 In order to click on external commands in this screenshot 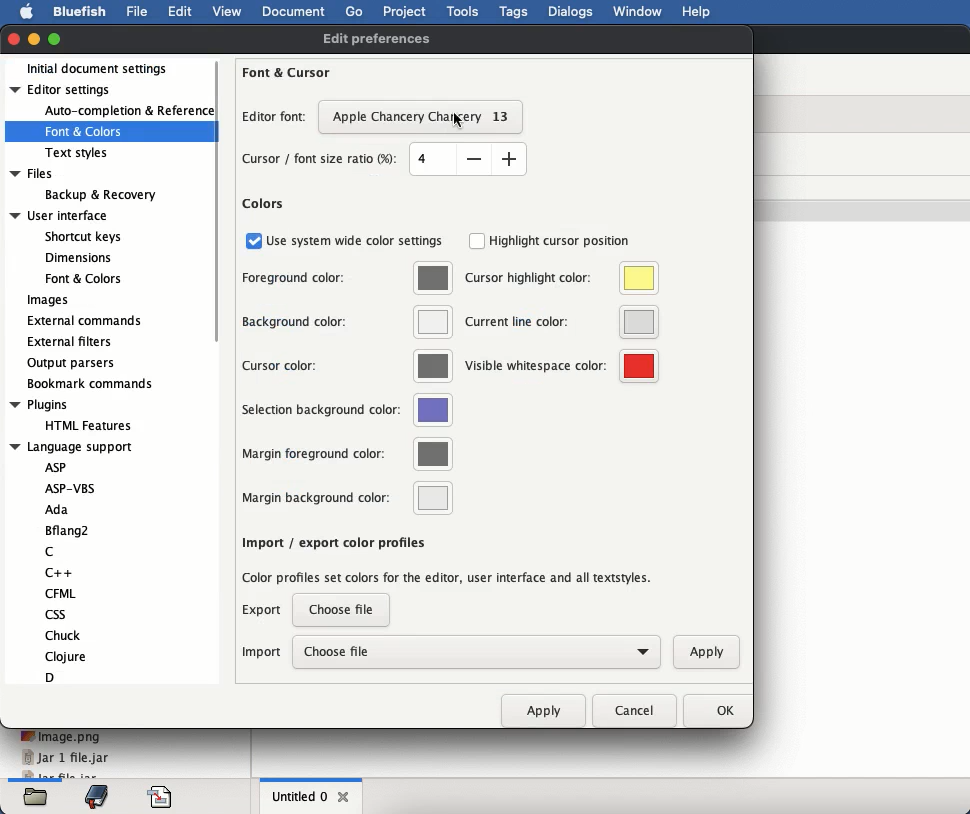, I will do `click(84, 321)`.